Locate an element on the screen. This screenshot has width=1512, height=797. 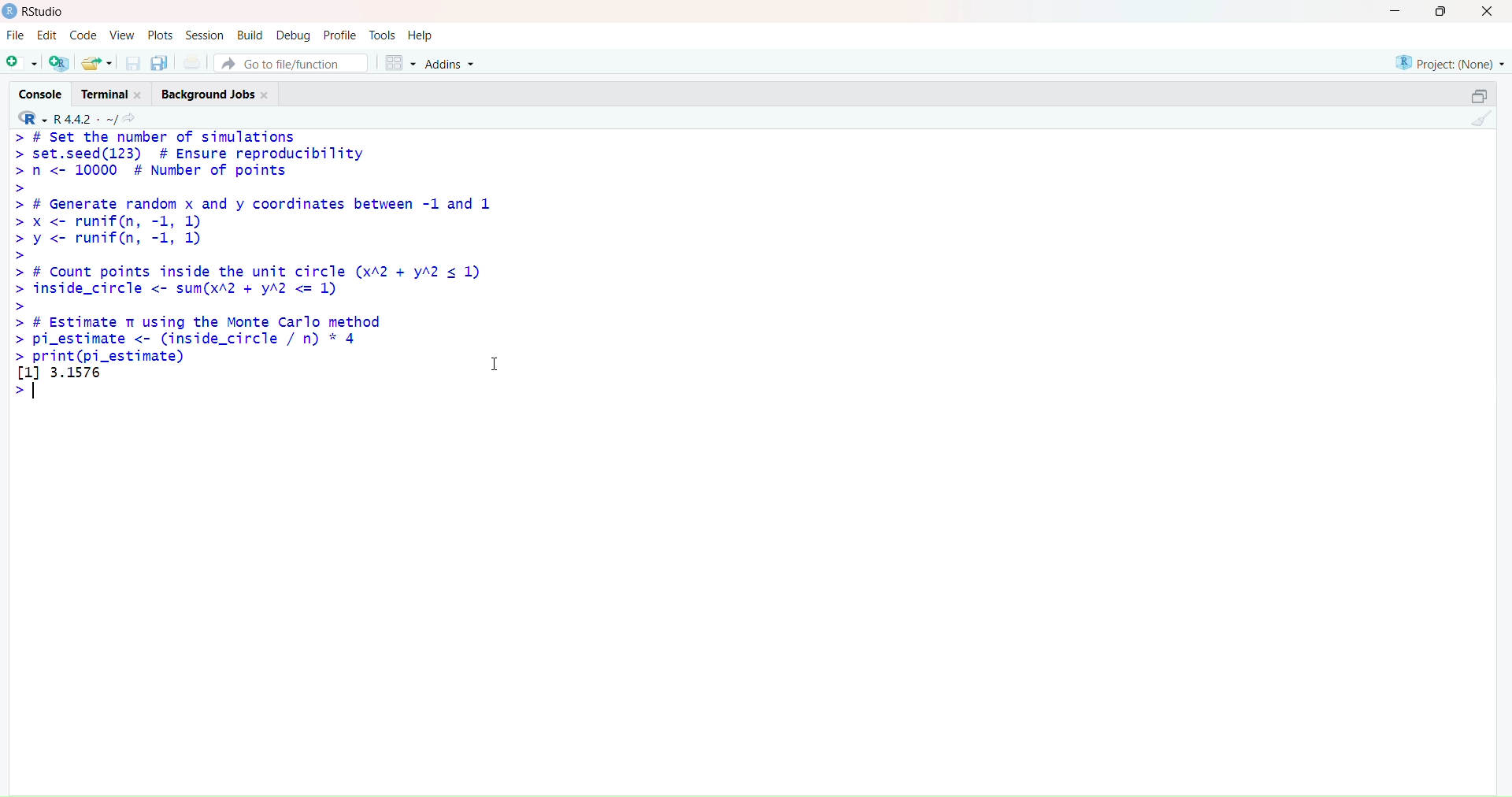
Profile is located at coordinates (343, 33).